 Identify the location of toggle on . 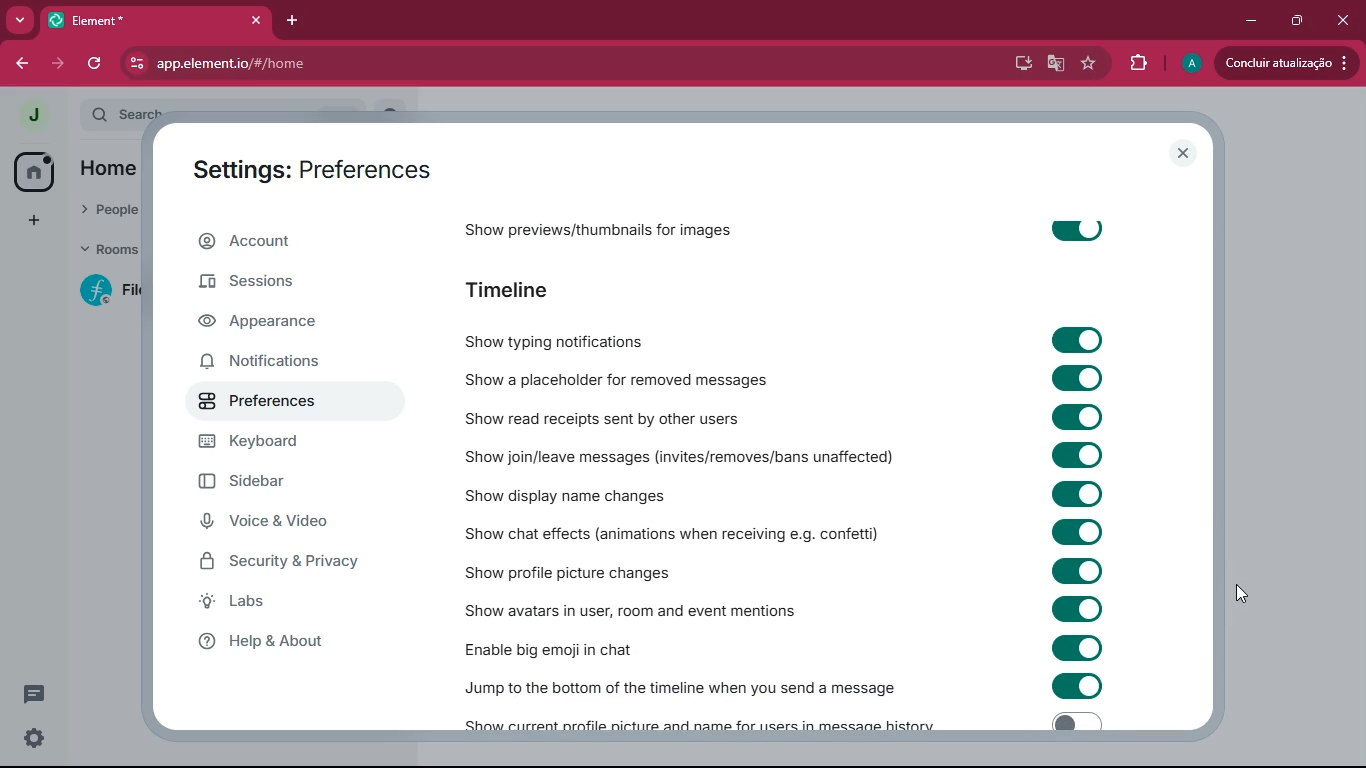
(1073, 376).